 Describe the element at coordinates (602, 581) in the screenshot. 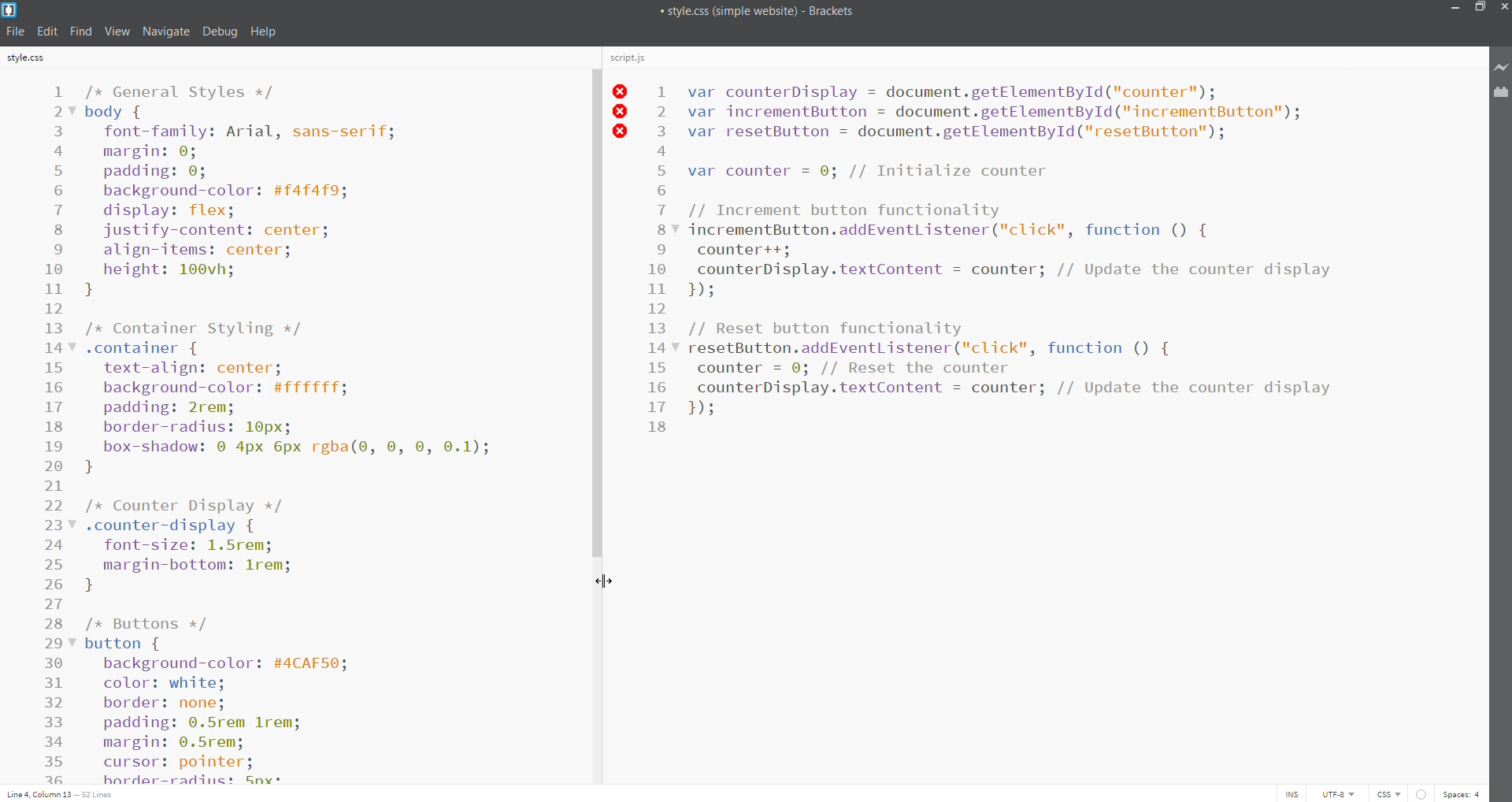

I see `cursor` at that location.